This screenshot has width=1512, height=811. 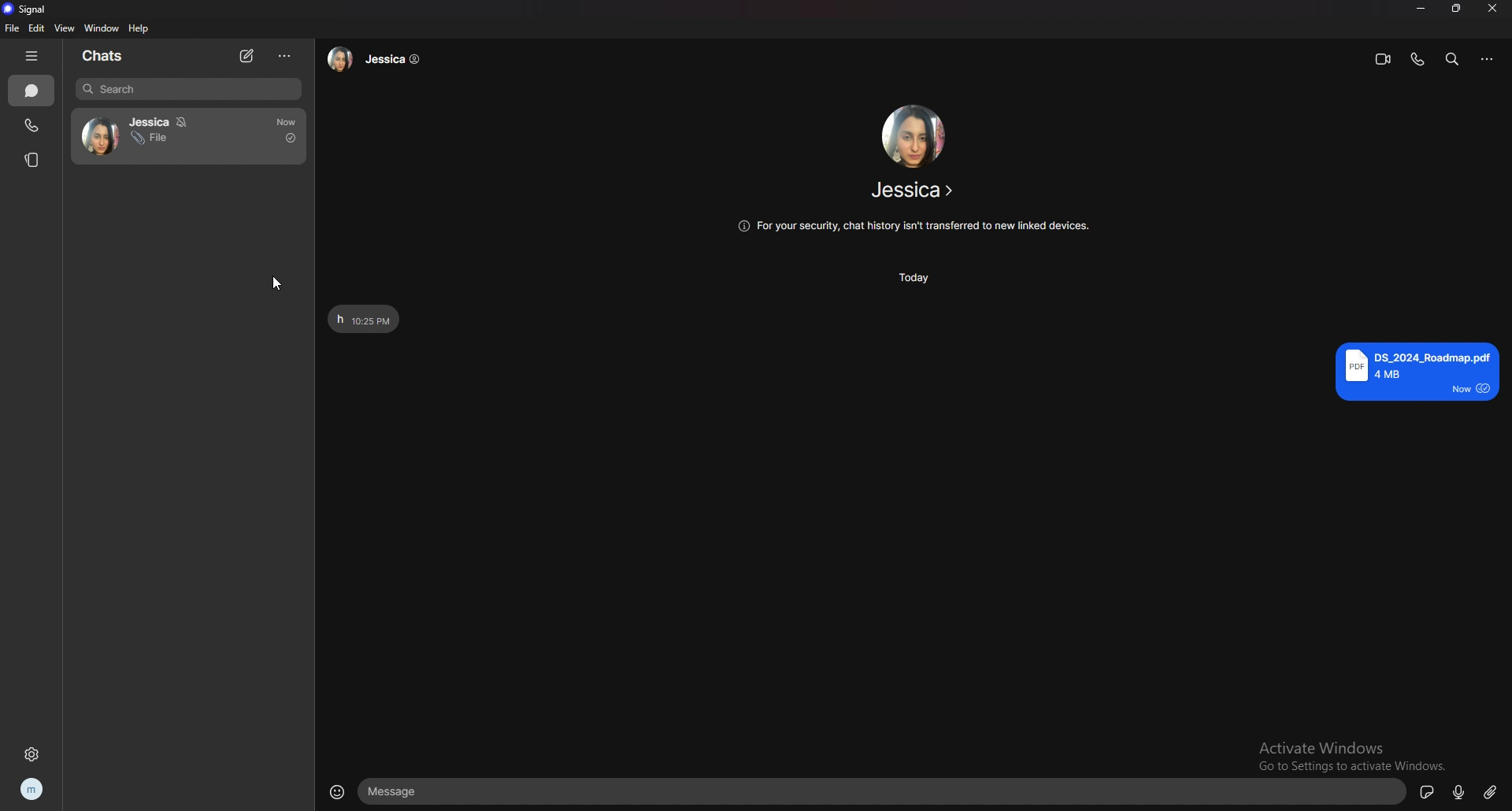 What do you see at coordinates (35, 28) in the screenshot?
I see `edit` at bounding box center [35, 28].